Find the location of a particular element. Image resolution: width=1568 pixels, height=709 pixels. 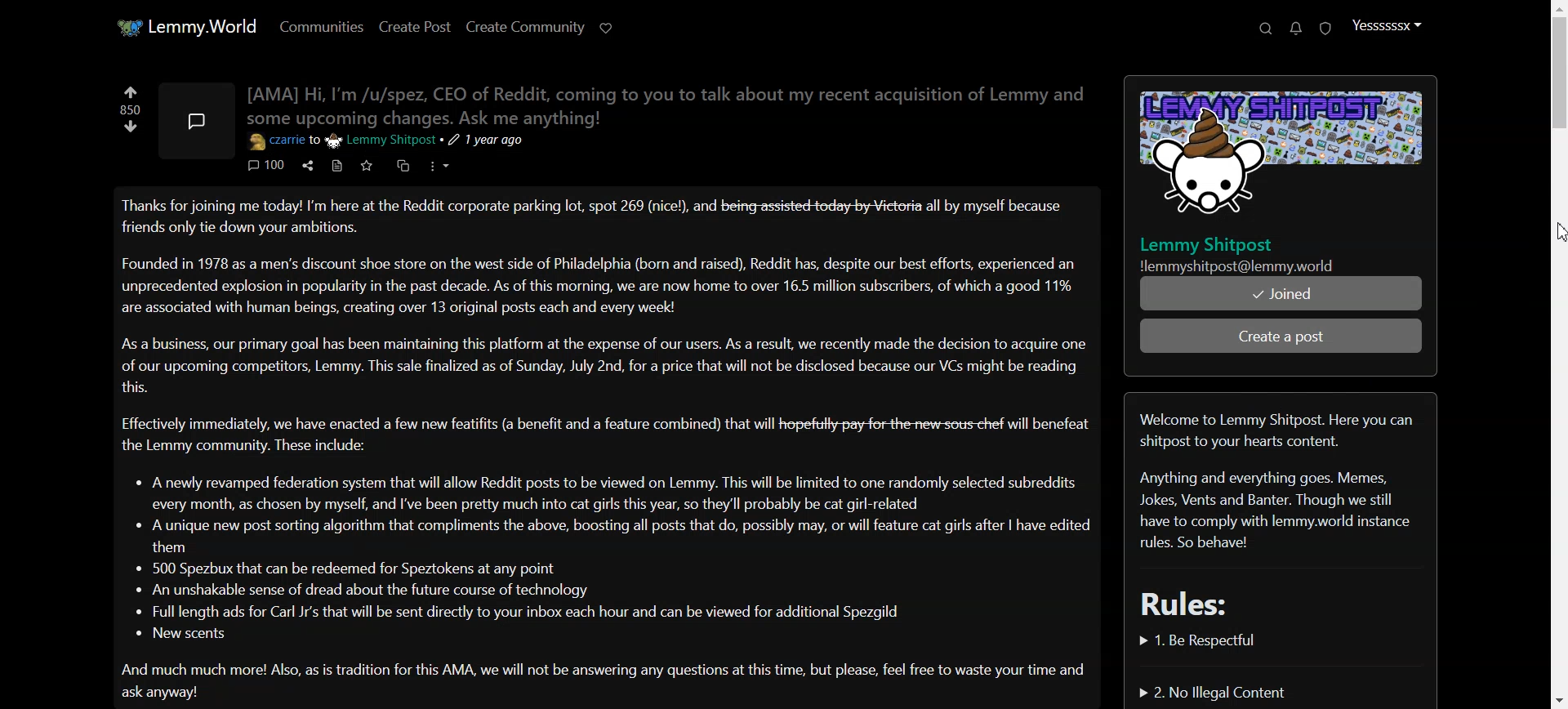

cursor is located at coordinates (1556, 228).